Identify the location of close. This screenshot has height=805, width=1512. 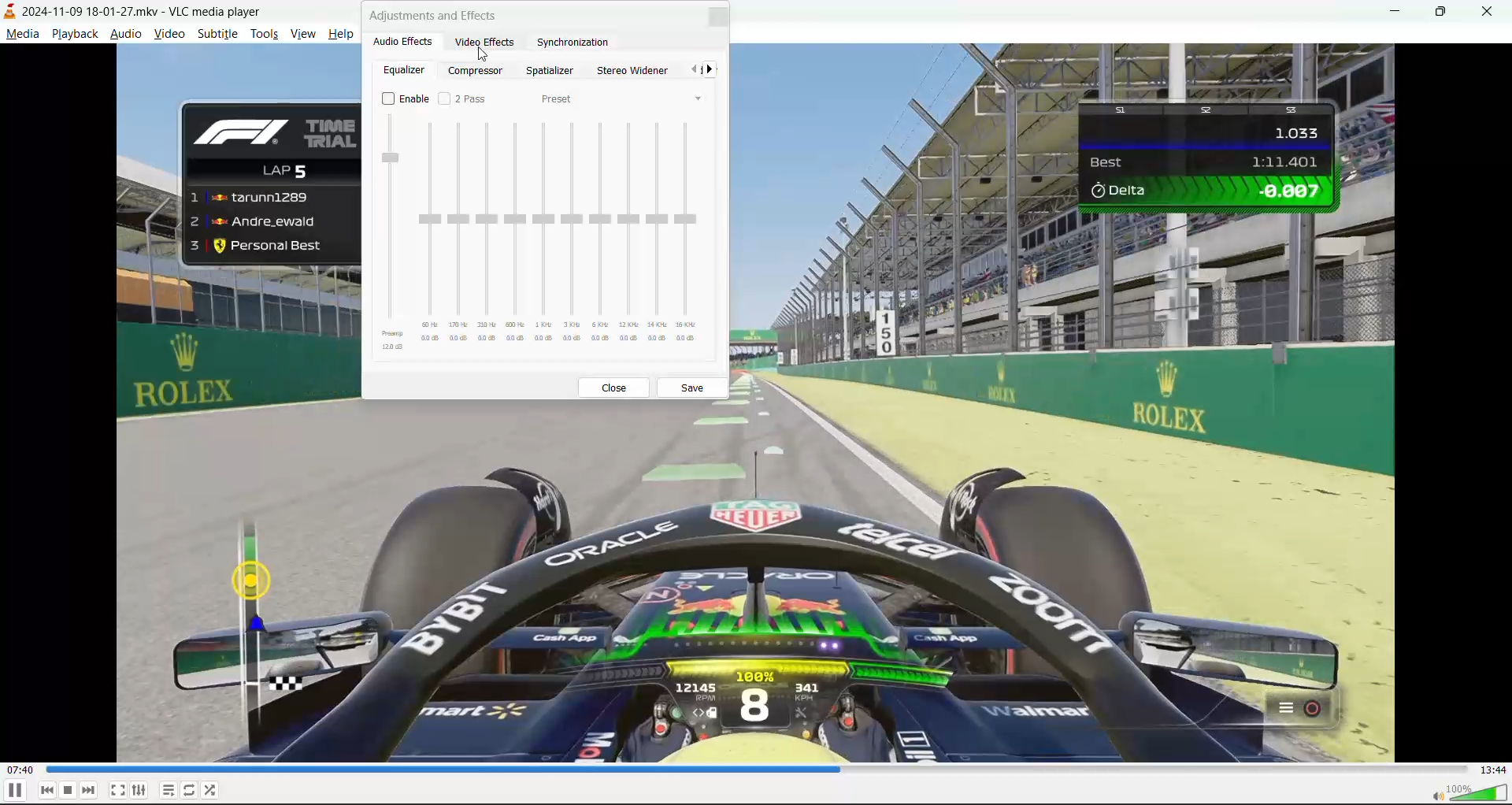
(617, 388).